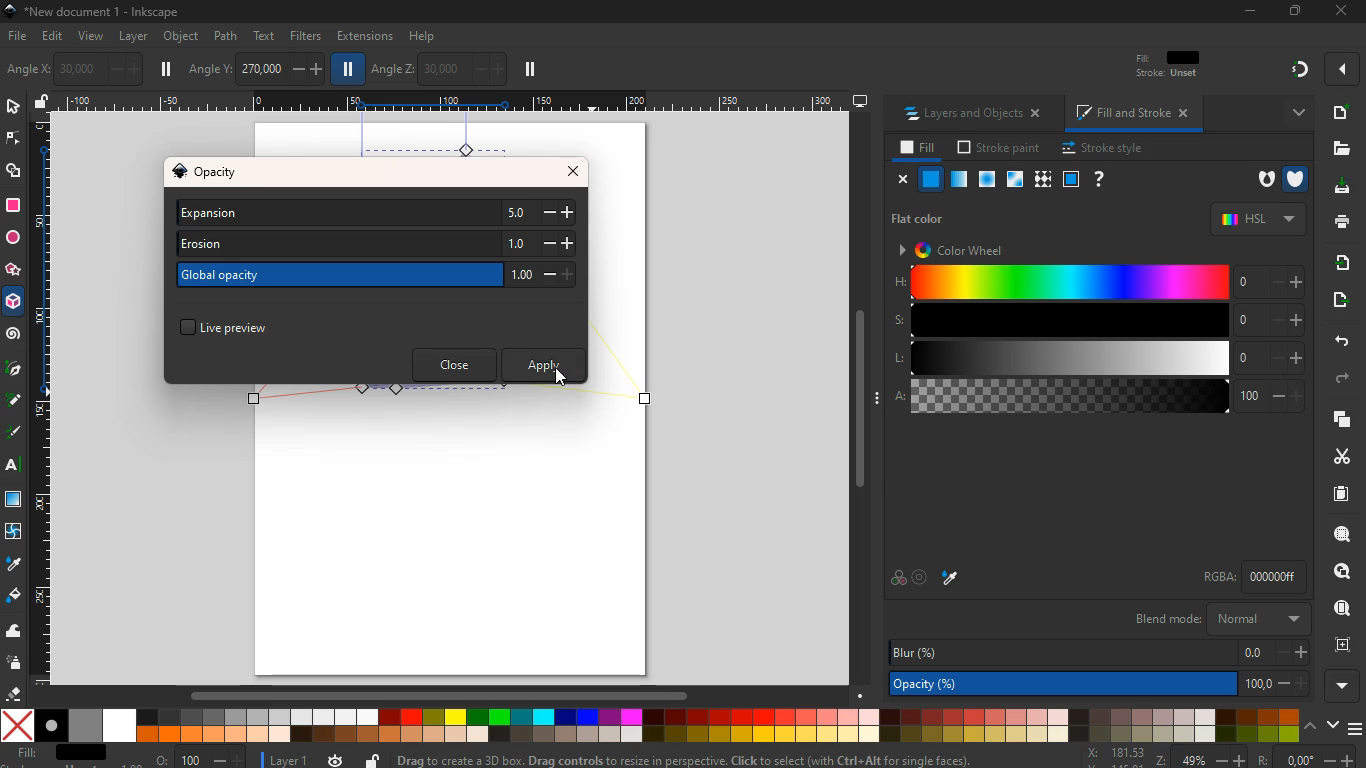  I want to click on more, so click(1342, 69).